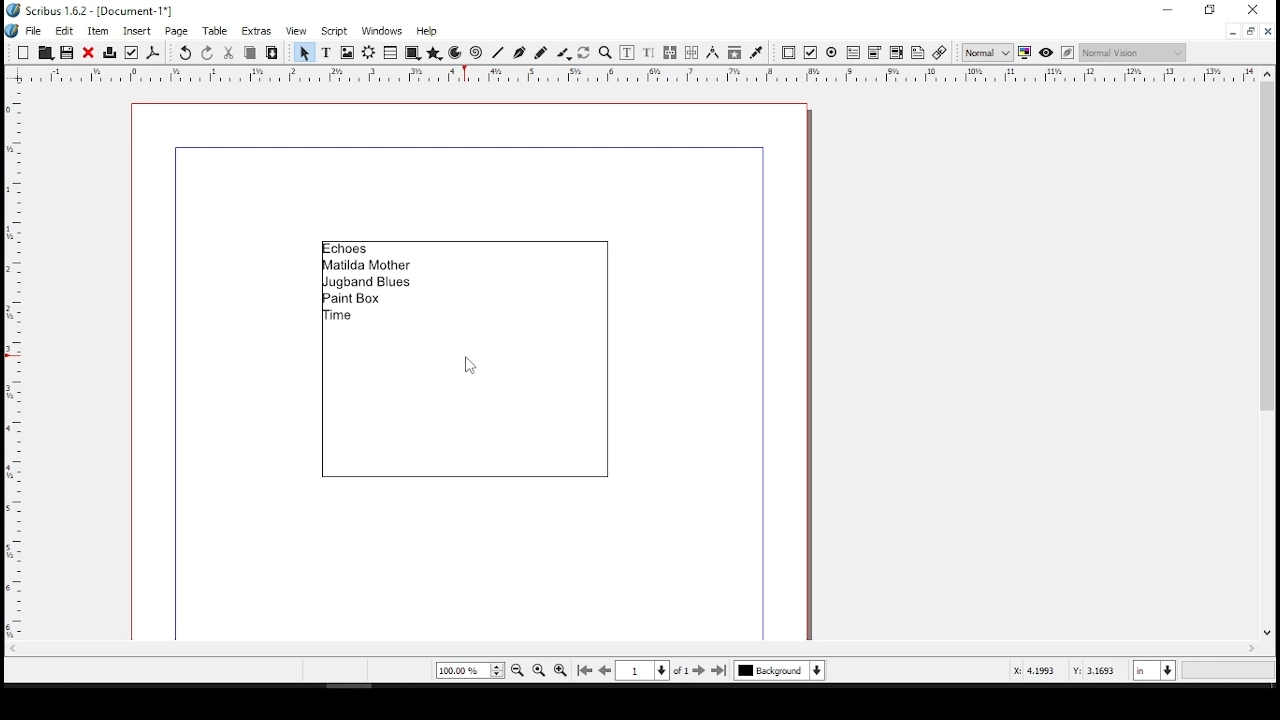  Describe the element at coordinates (251, 52) in the screenshot. I see `copy` at that location.